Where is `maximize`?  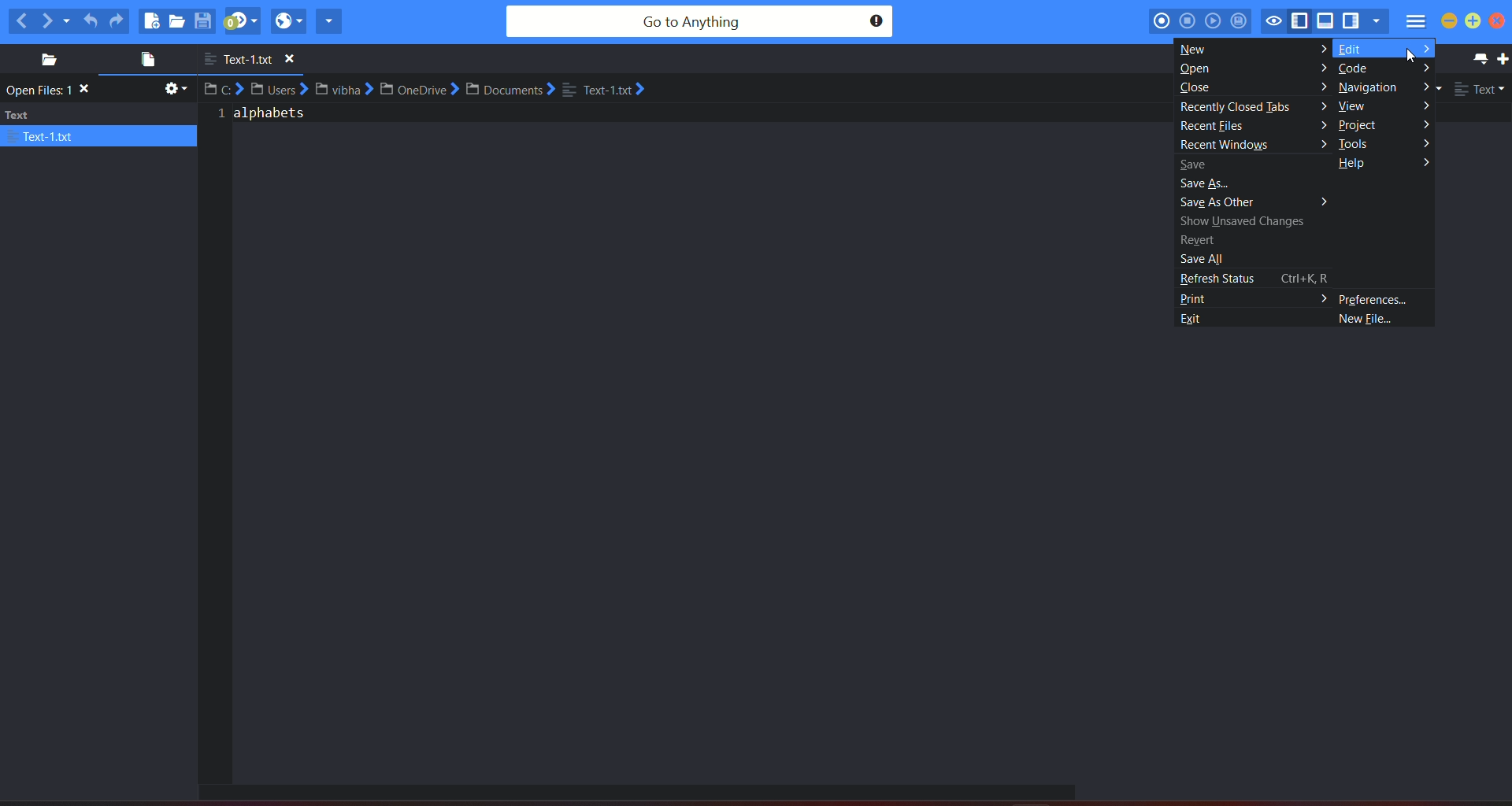
maximize is located at coordinates (1473, 21).